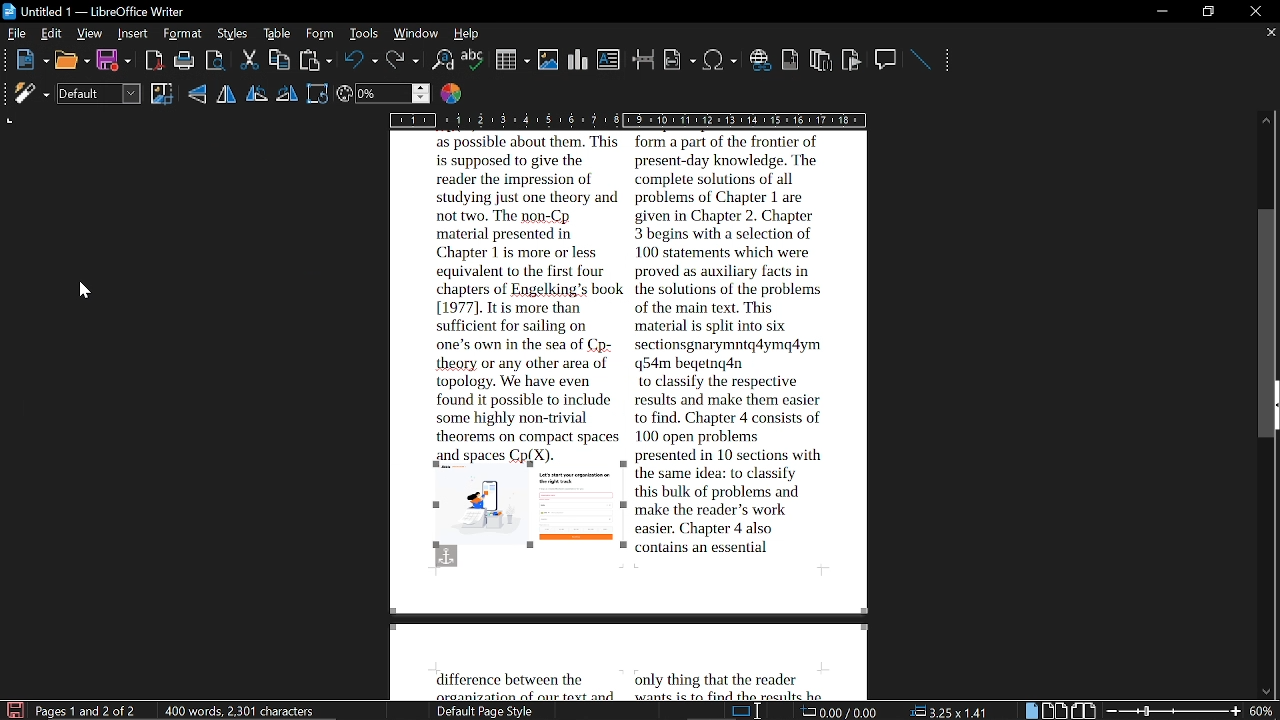 The image size is (1280, 720). I want to click on insret bookmark, so click(851, 60).